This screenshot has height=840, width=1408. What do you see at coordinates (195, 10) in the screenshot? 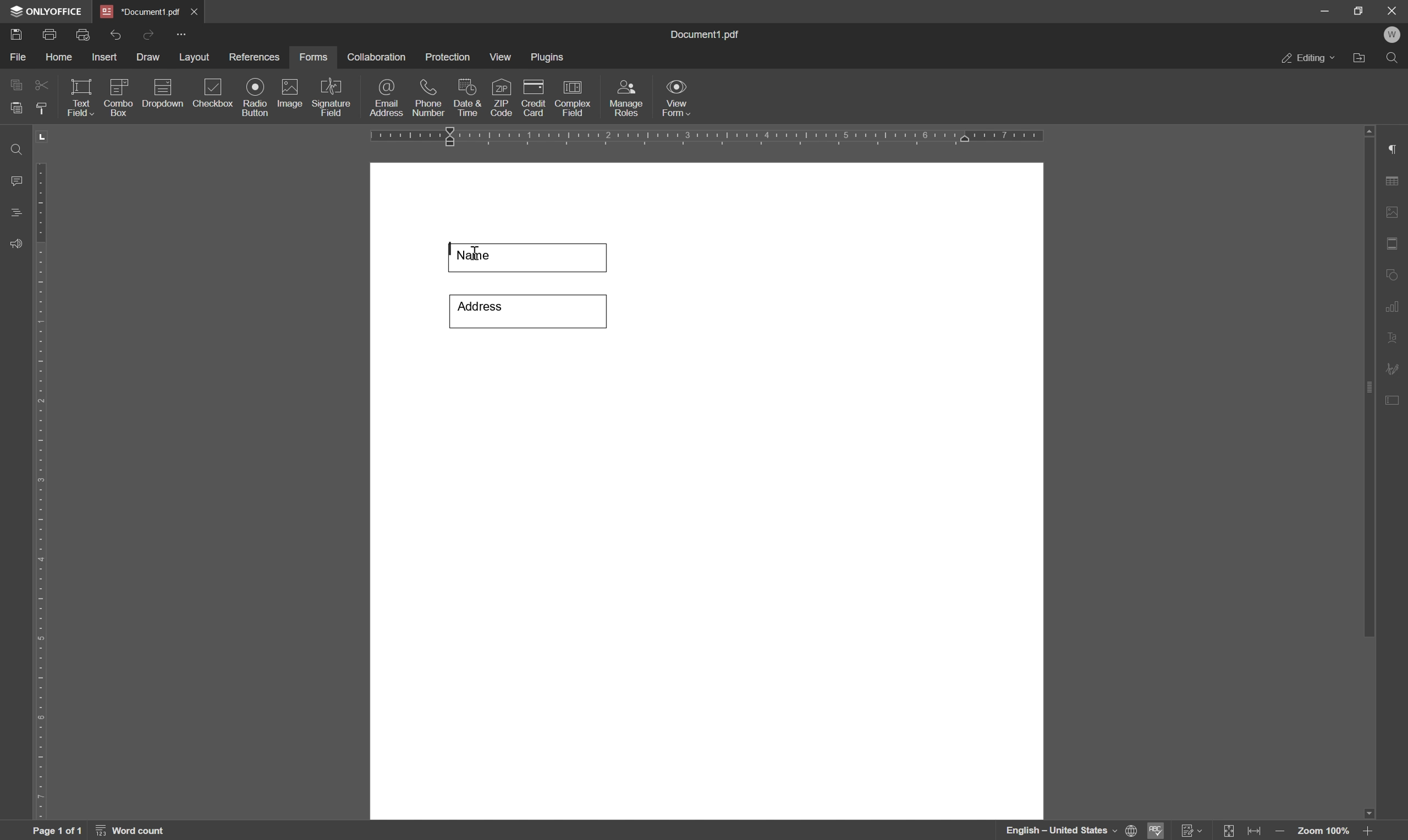
I see `close` at bounding box center [195, 10].